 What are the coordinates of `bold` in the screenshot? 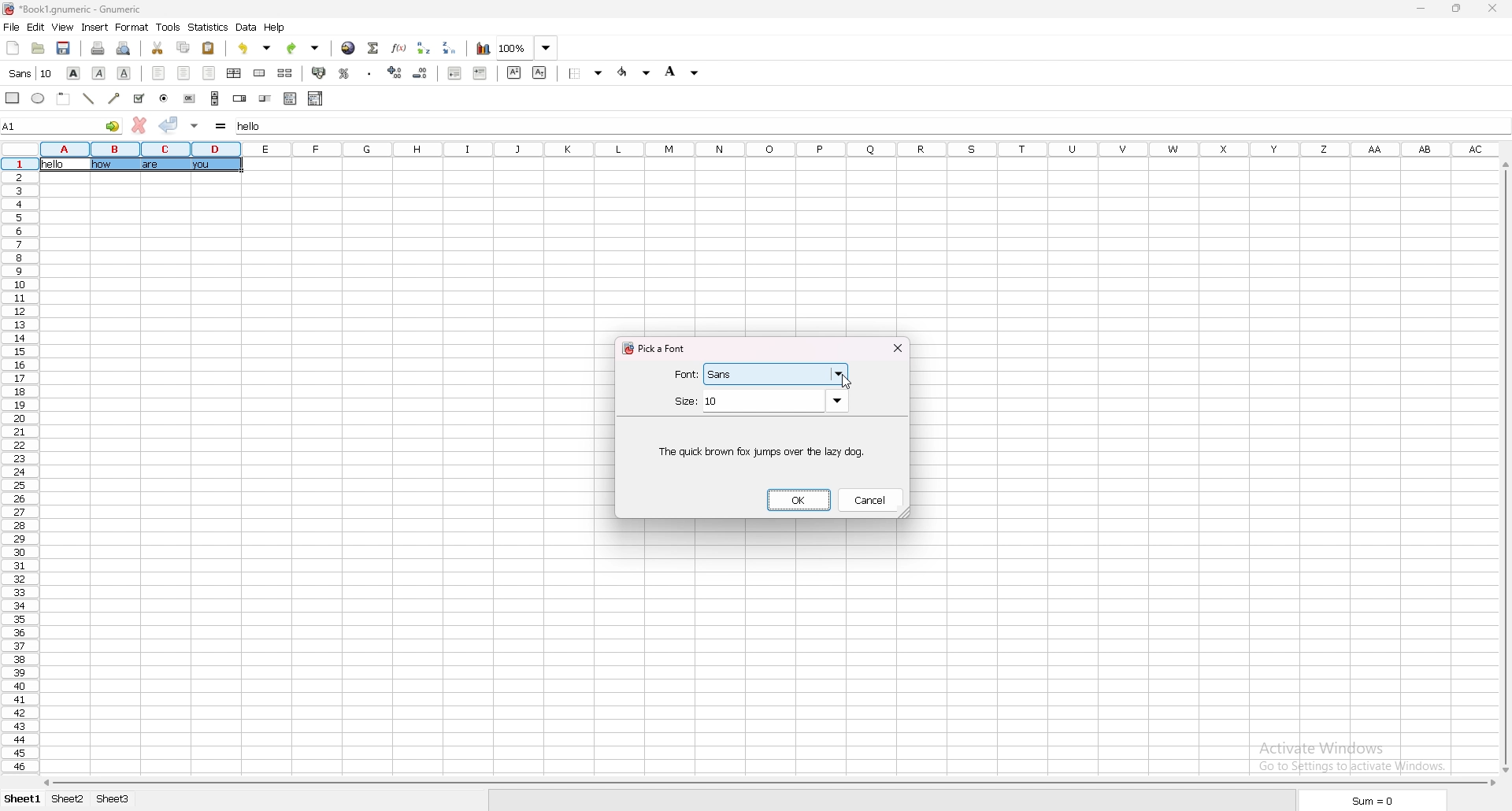 It's located at (73, 72).